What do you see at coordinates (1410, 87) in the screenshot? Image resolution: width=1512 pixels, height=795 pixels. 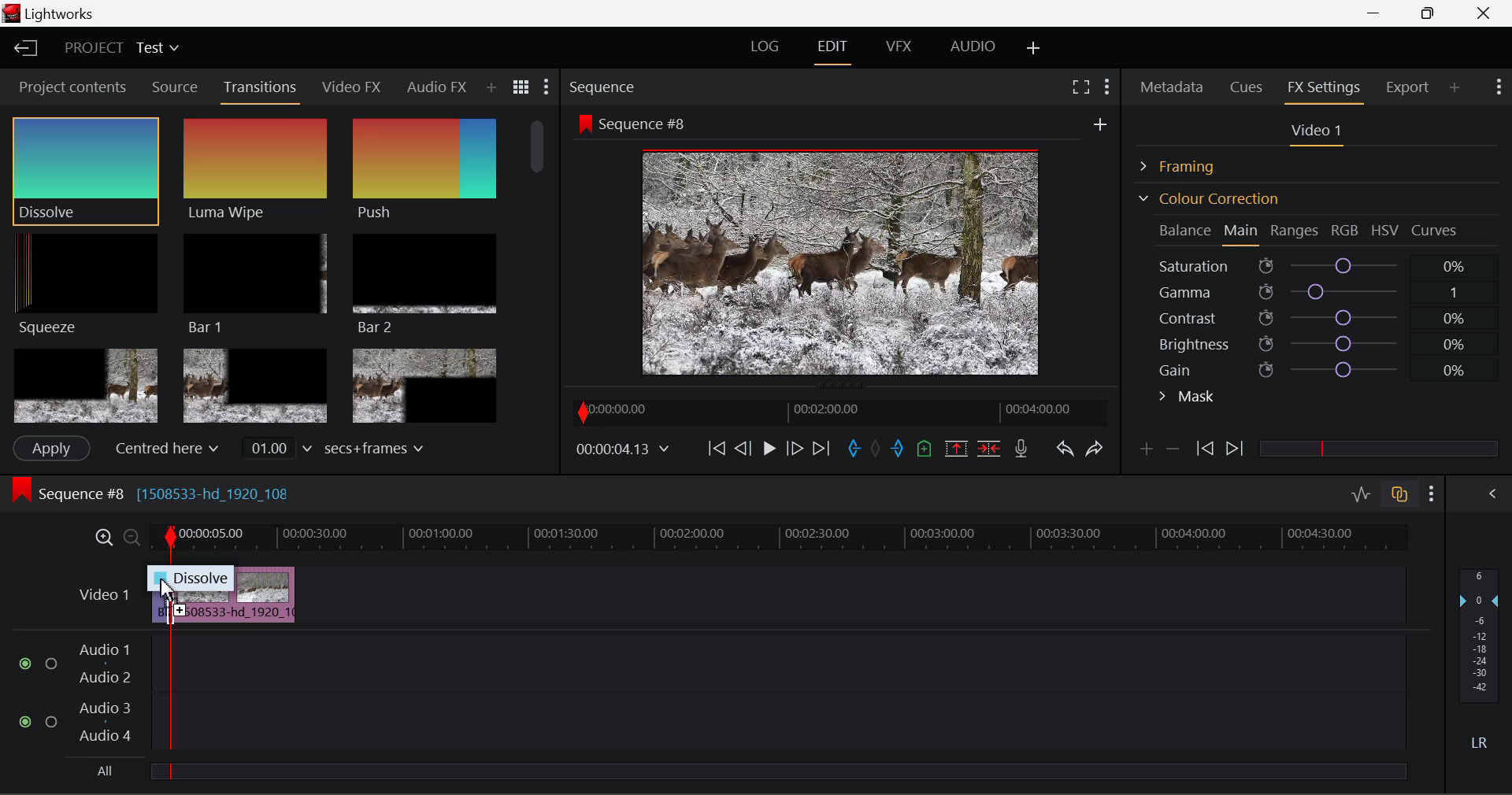 I see `Export Panel` at bounding box center [1410, 87].